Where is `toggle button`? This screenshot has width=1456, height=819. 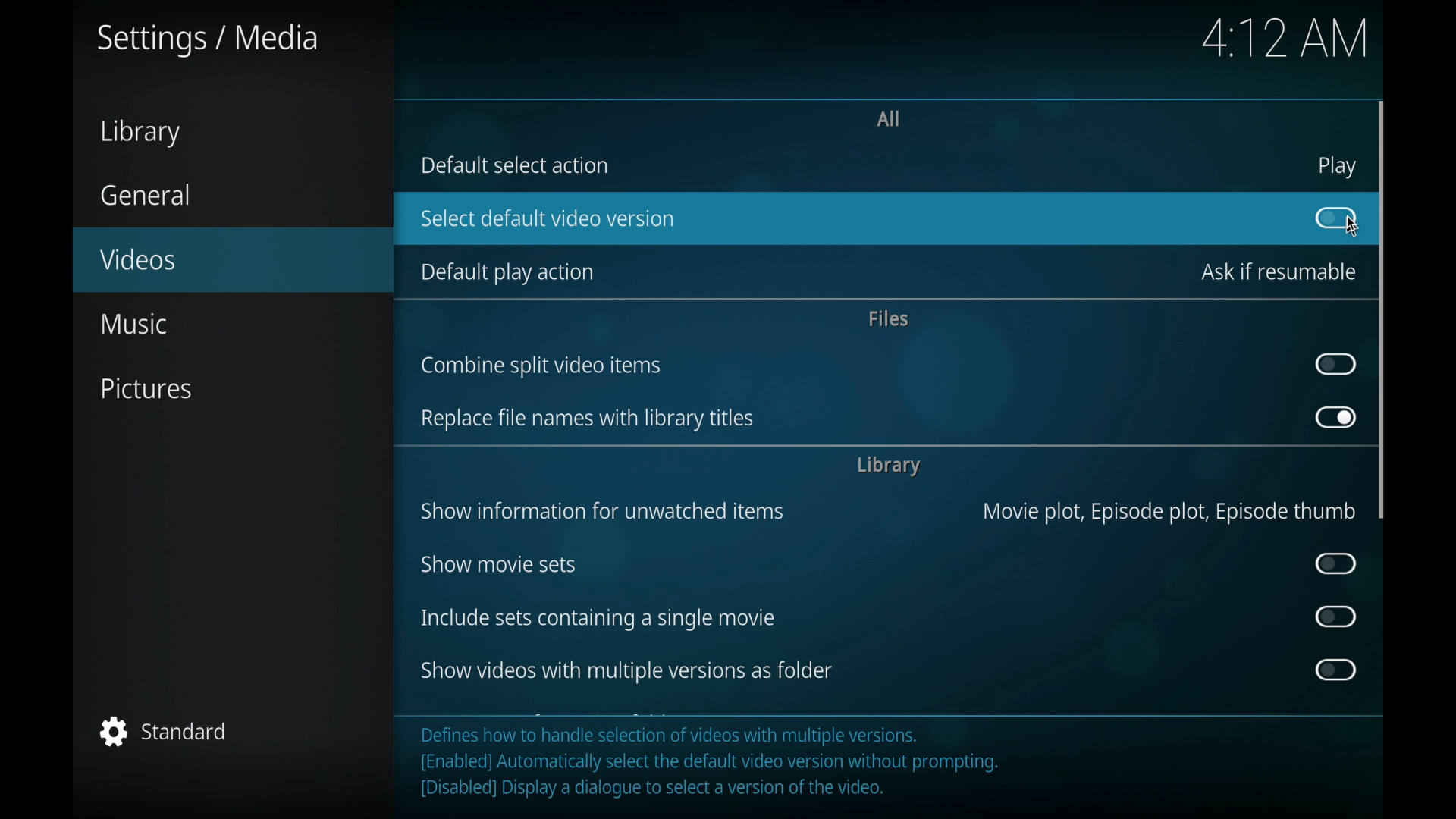 toggle button is located at coordinates (1336, 617).